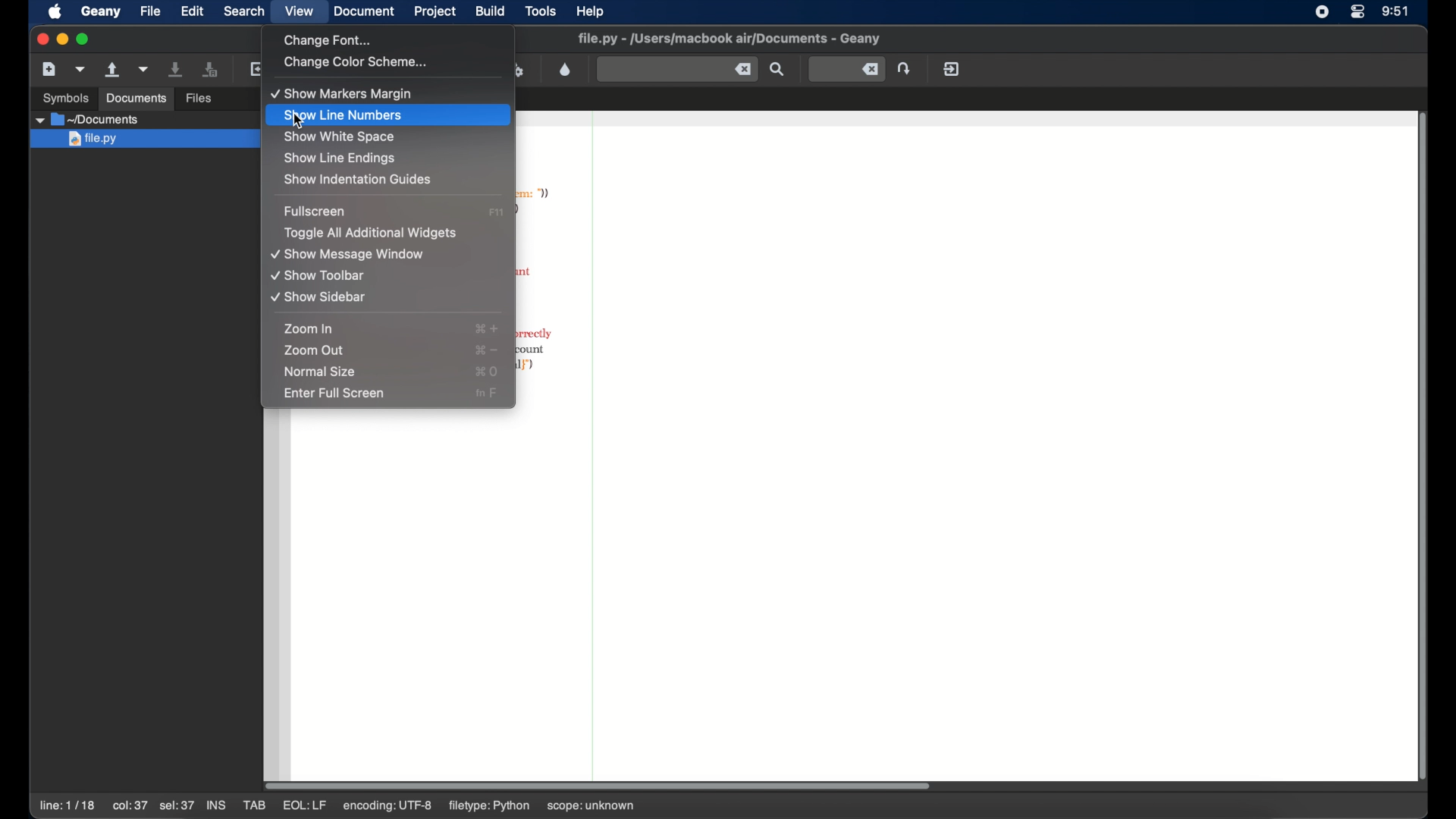 Image resolution: width=1456 pixels, height=819 pixels. Describe the element at coordinates (215, 804) in the screenshot. I see `ins` at that location.